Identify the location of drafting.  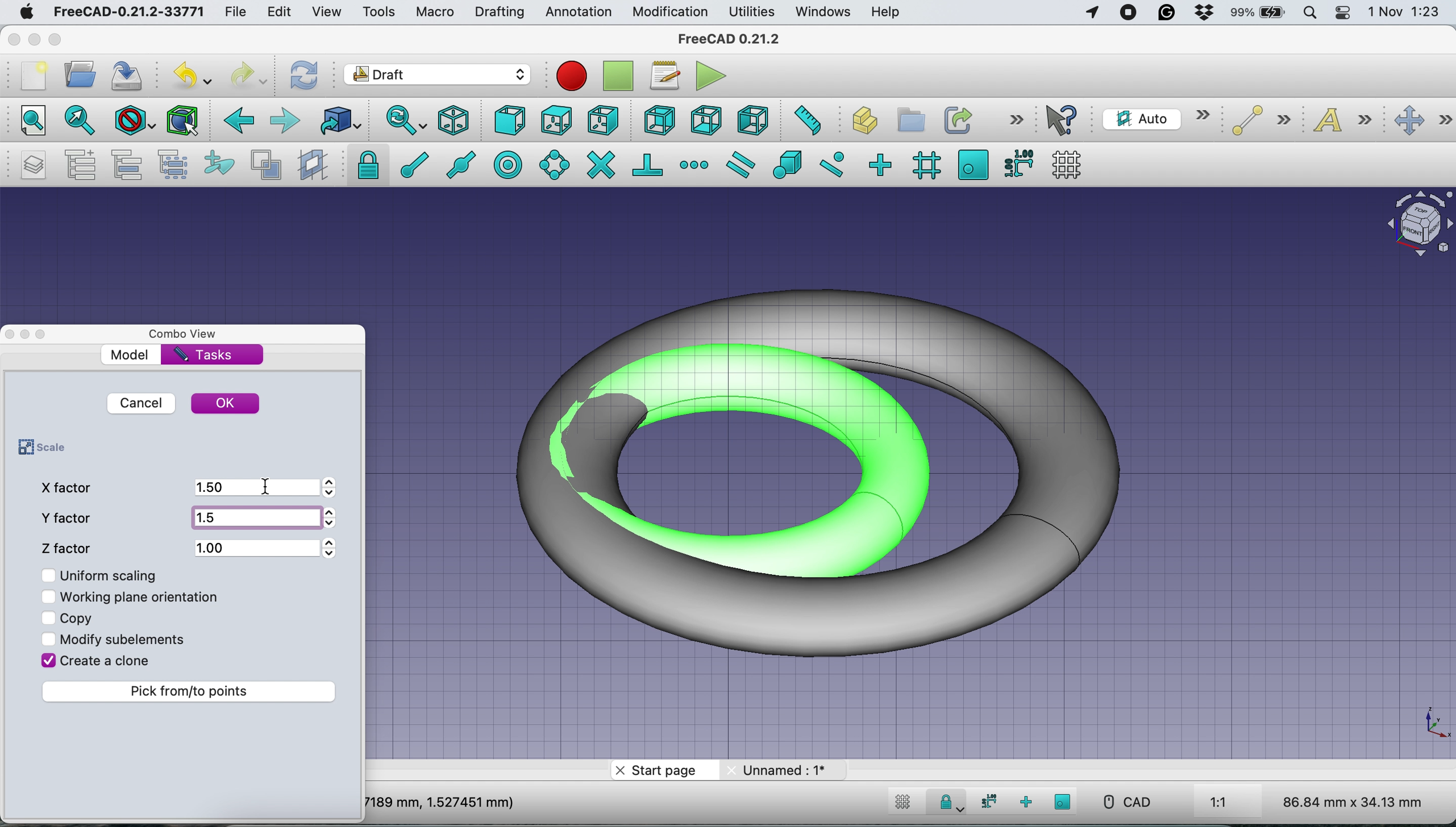
(499, 13).